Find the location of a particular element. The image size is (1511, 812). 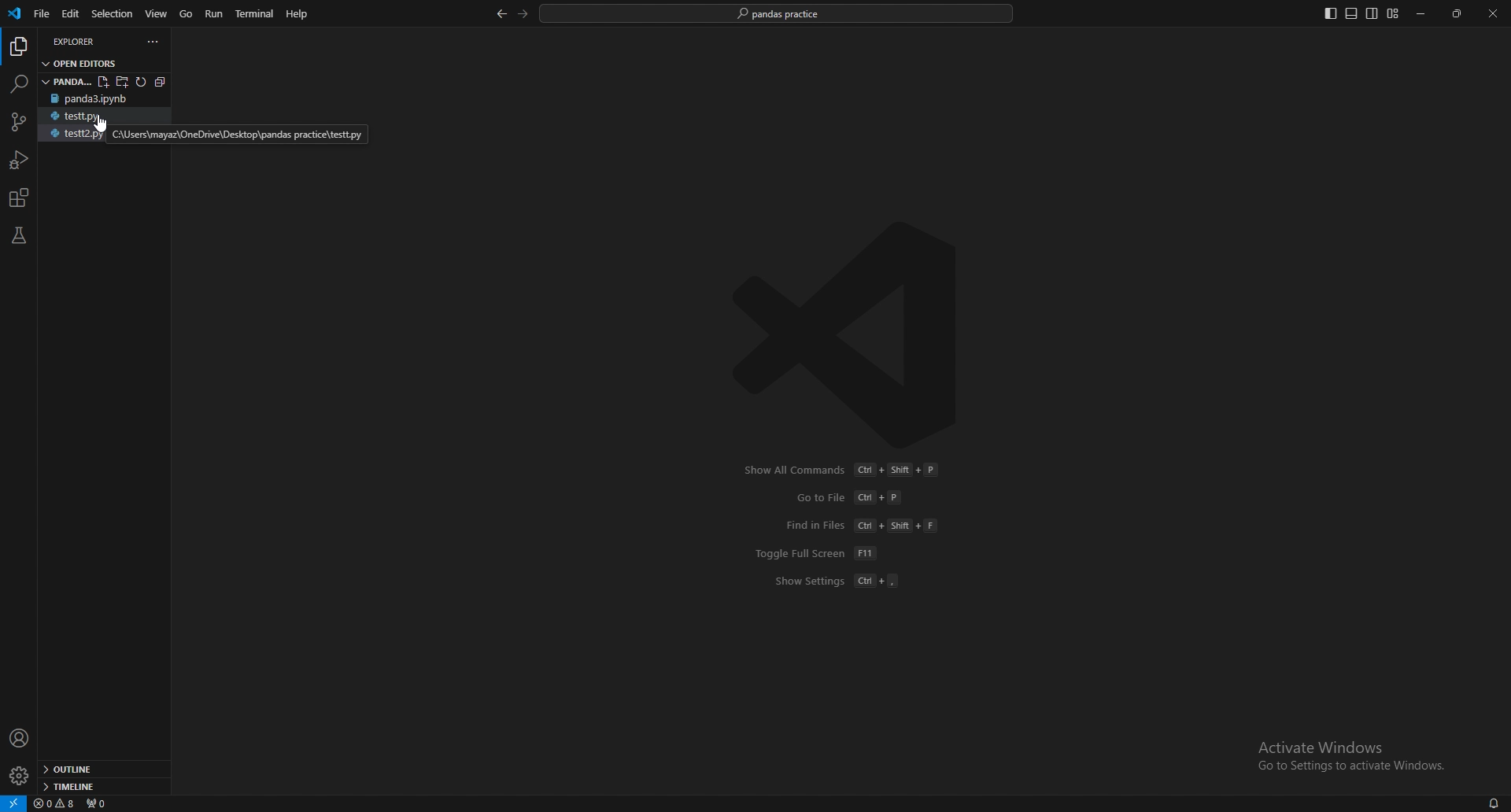

file is located at coordinates (42, 13).